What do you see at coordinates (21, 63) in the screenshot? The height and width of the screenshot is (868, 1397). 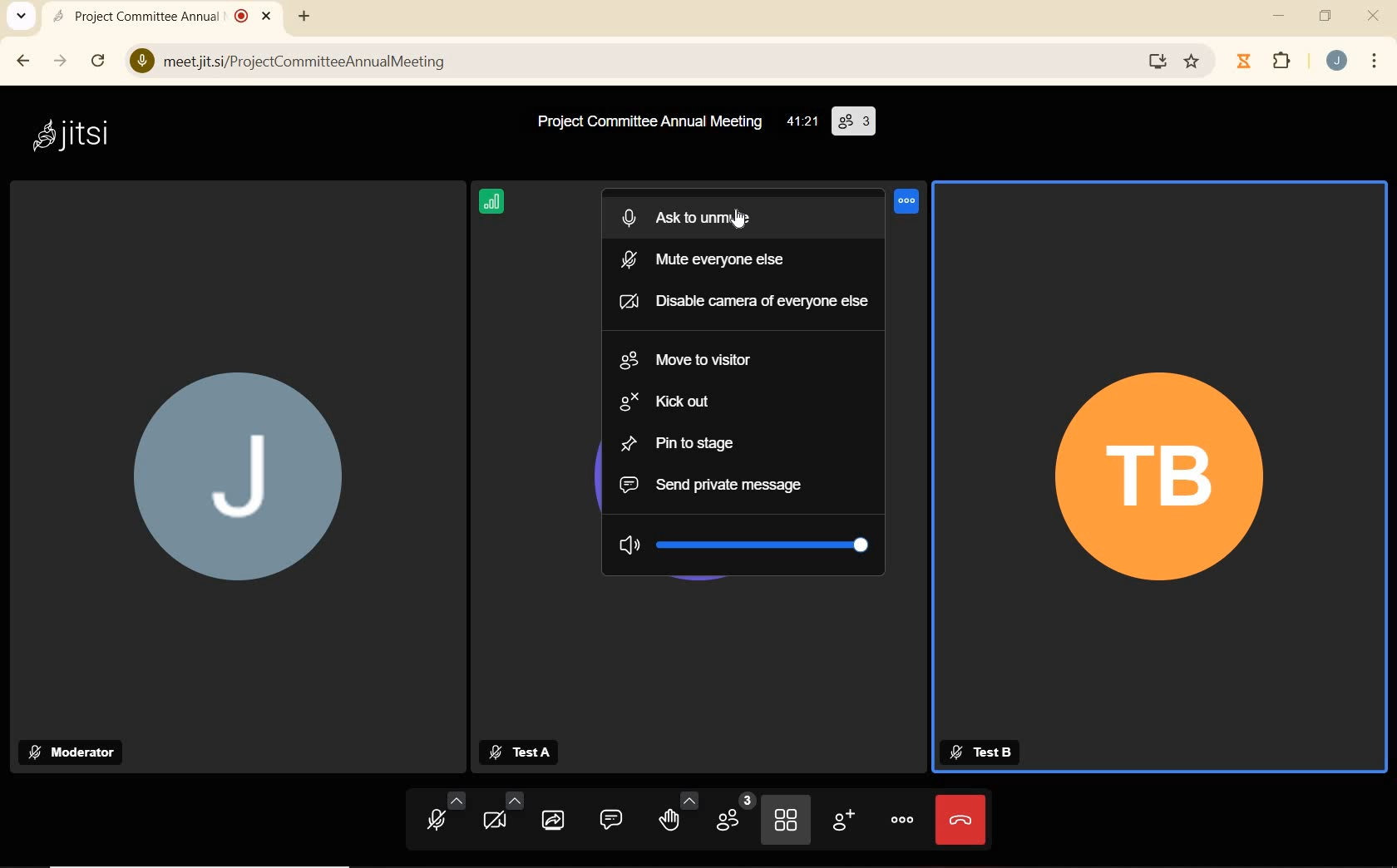 I see `BACK` at bounding box center [21, 63].